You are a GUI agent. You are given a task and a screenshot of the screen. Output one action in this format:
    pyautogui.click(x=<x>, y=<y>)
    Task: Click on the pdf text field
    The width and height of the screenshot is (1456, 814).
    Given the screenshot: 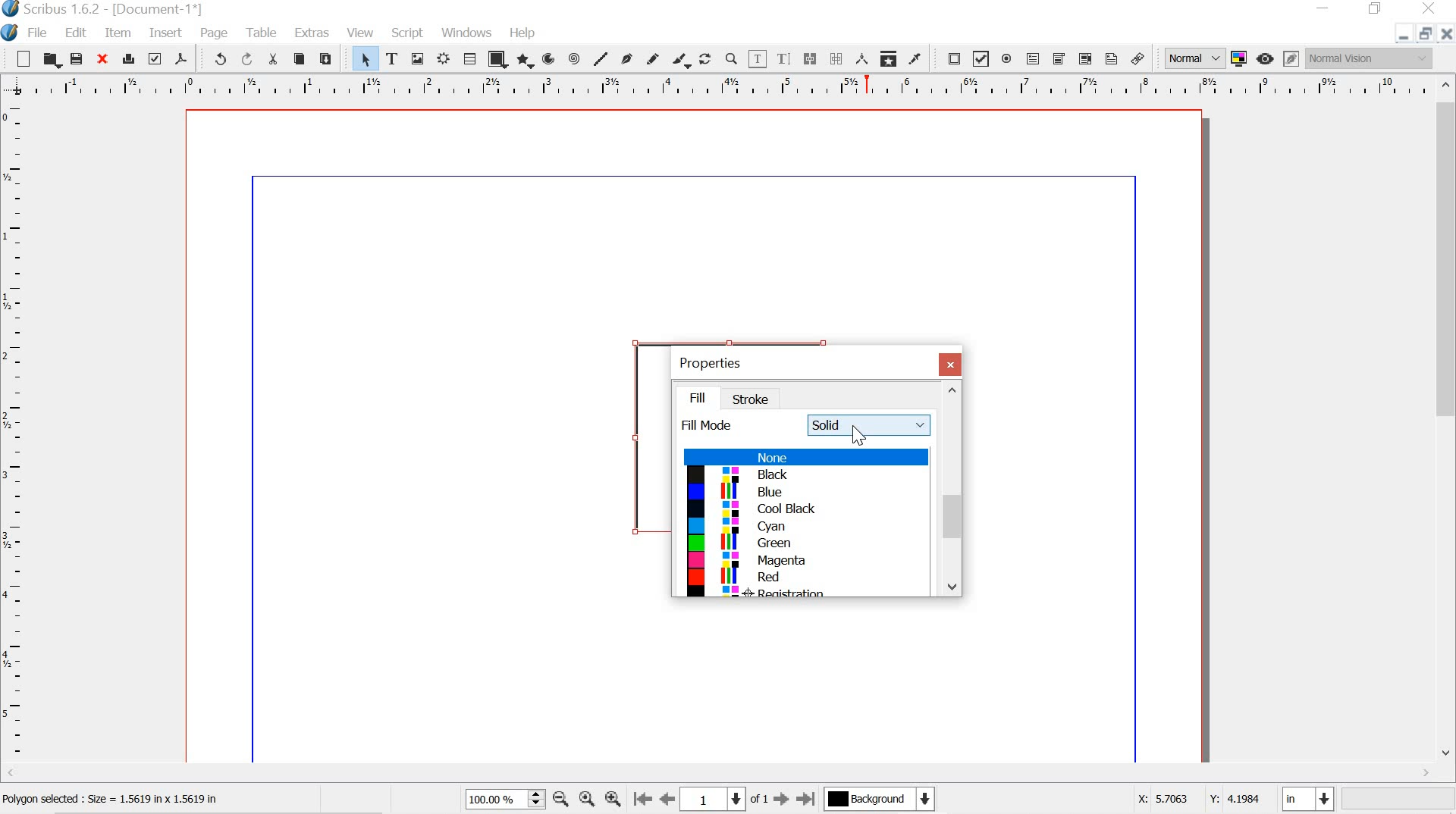 What is the action you would take?
    pyautogui.click(x=1036, y=59)
    